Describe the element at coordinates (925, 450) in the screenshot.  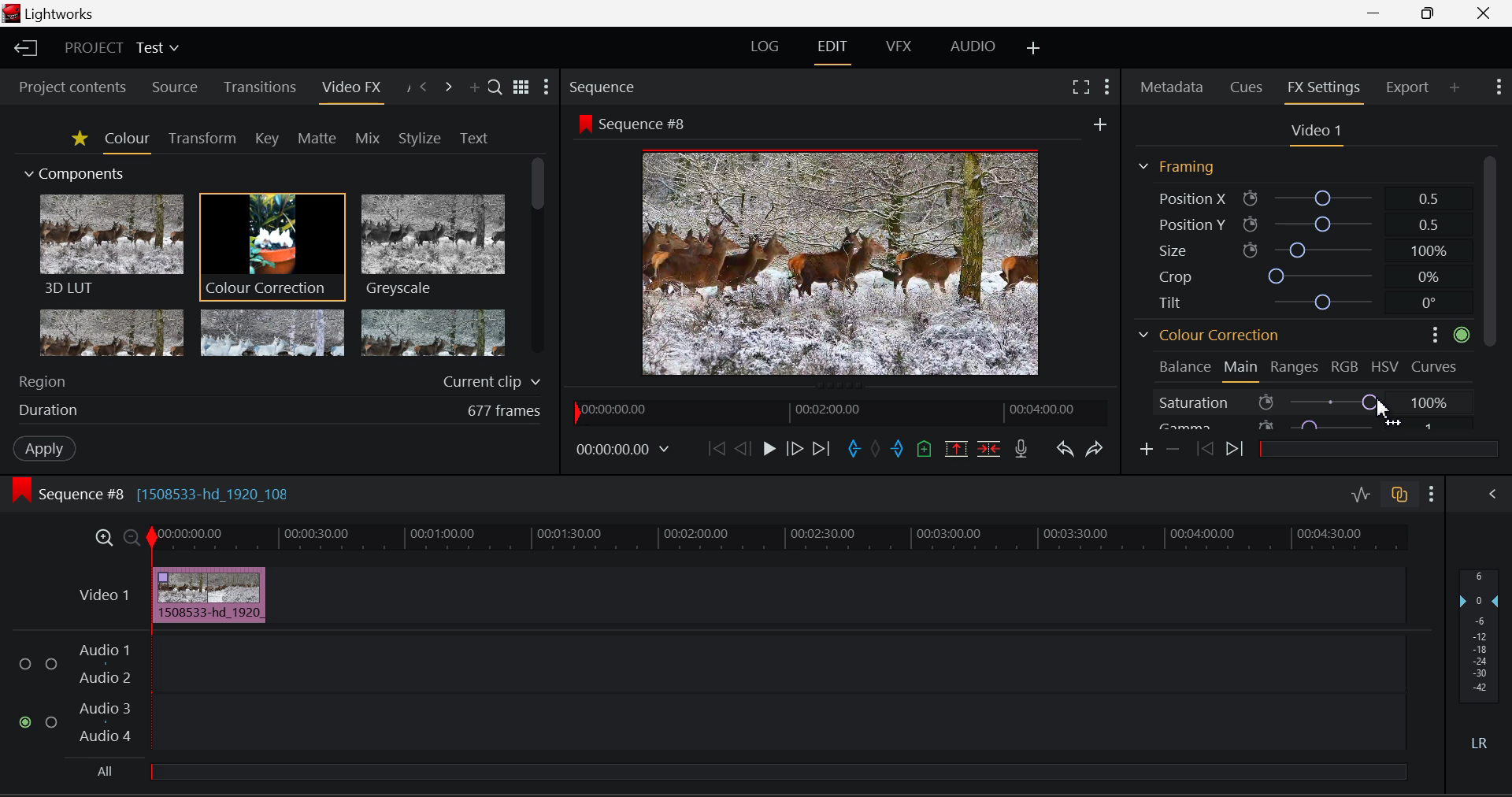
I see `Mark Cue` at that location.